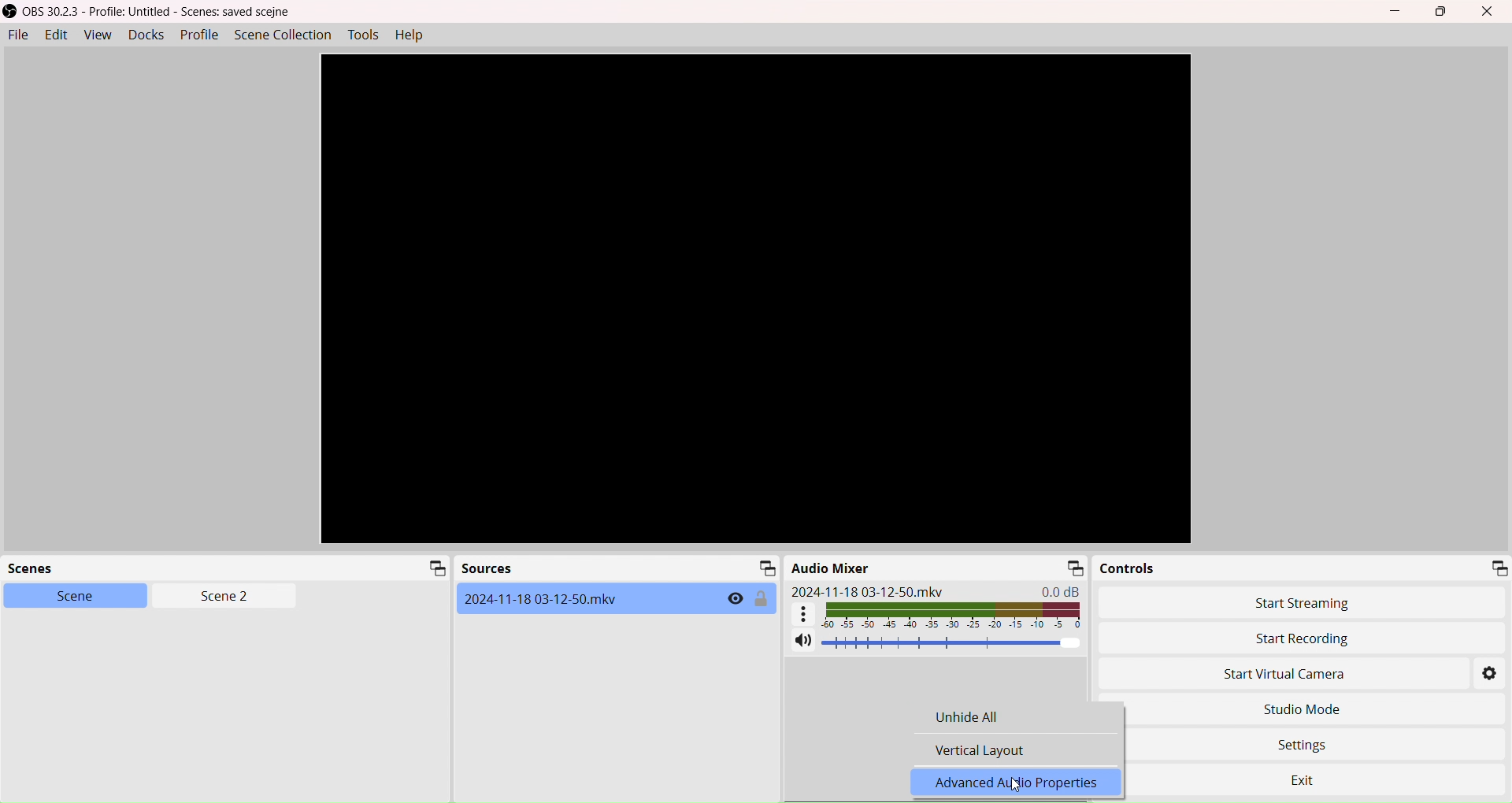 Image resolution: width=1512 pixels, height=803 pixels. What do you see at coordinates (1321, 775) in the screenshot?
I see `Exit` at bounding box center [1321, 775].